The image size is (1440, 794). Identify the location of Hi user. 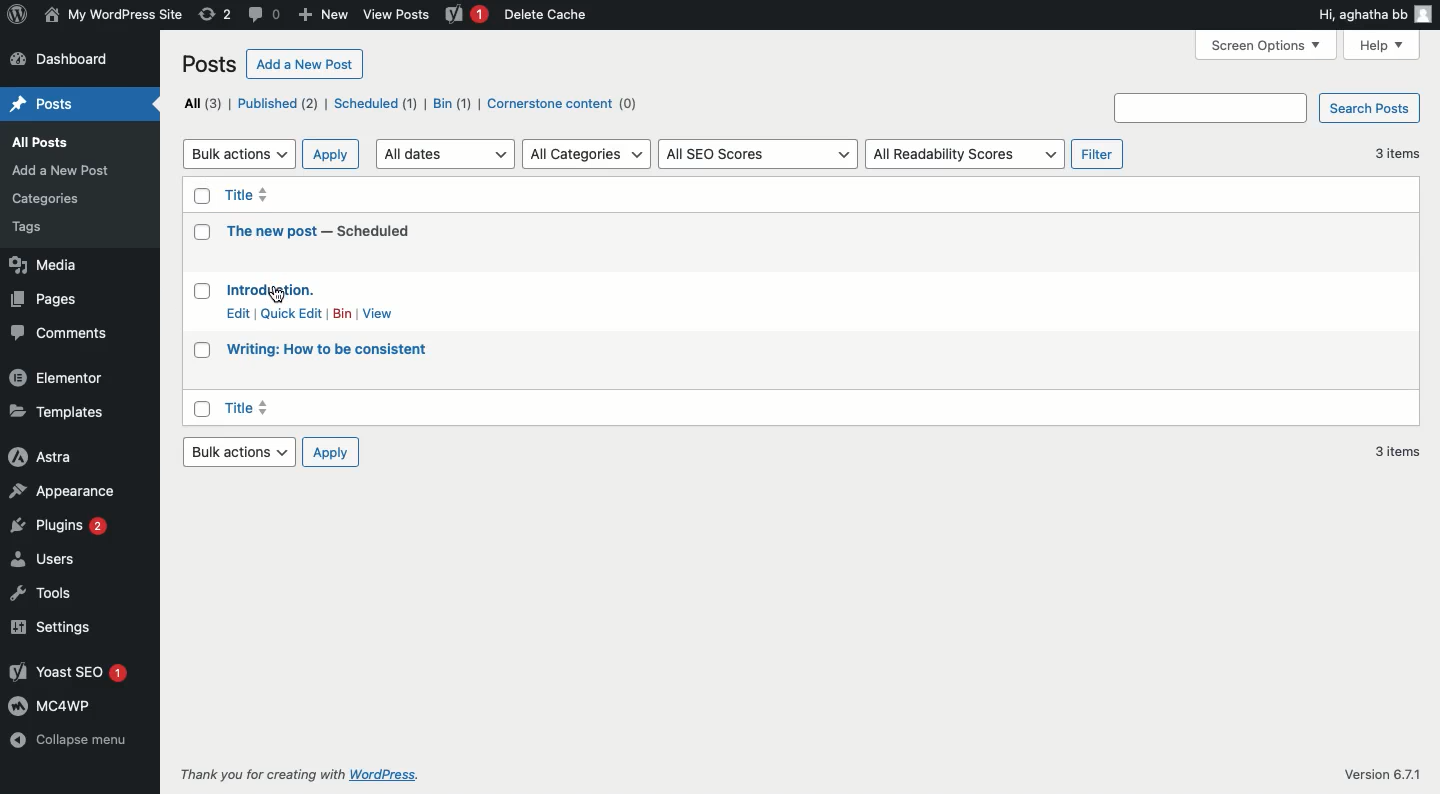
(1372, 15).